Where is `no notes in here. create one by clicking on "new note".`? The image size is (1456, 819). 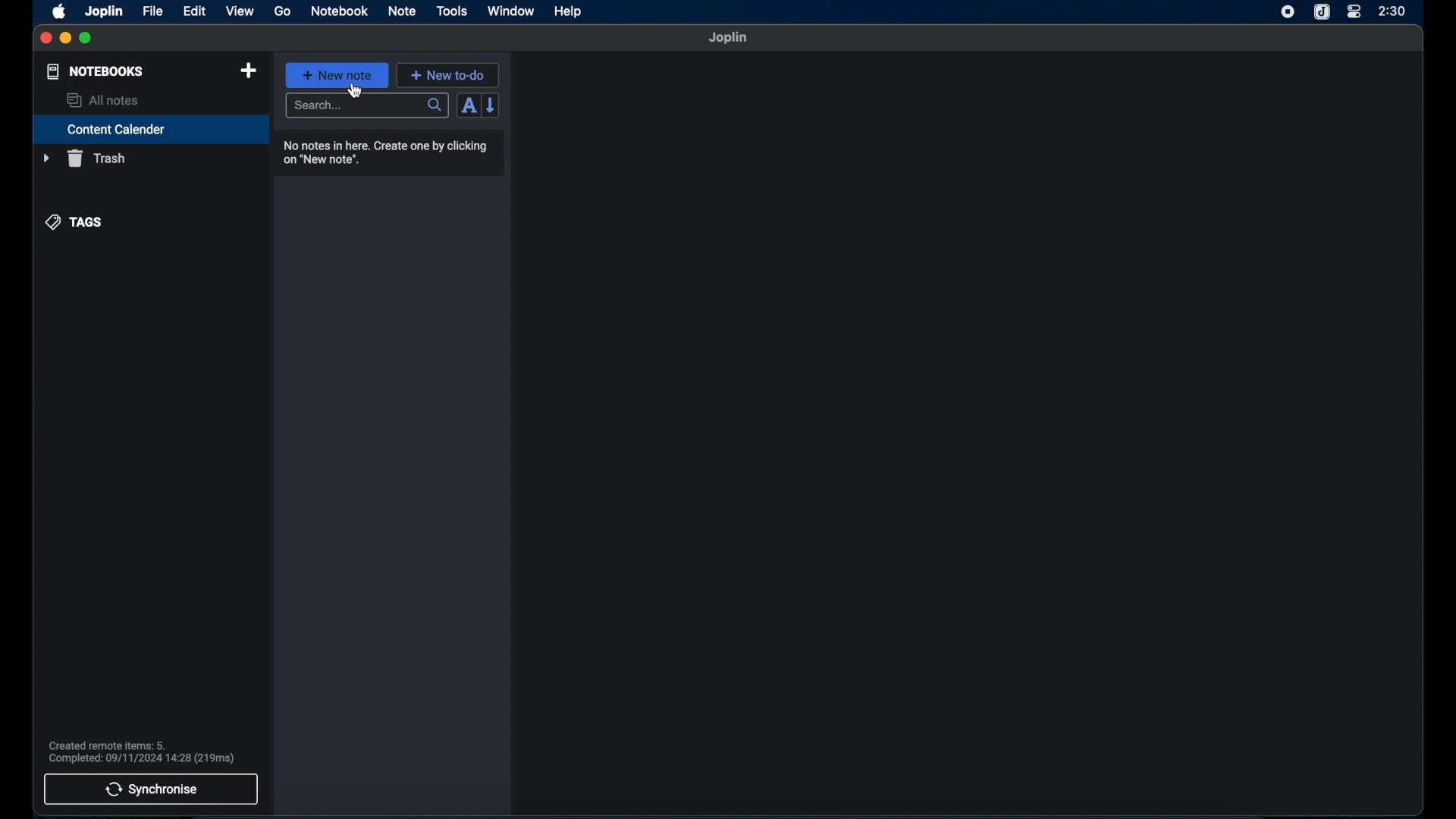
no notes in here. create one by clicking on "new note". is located at coordinates (384, 152).